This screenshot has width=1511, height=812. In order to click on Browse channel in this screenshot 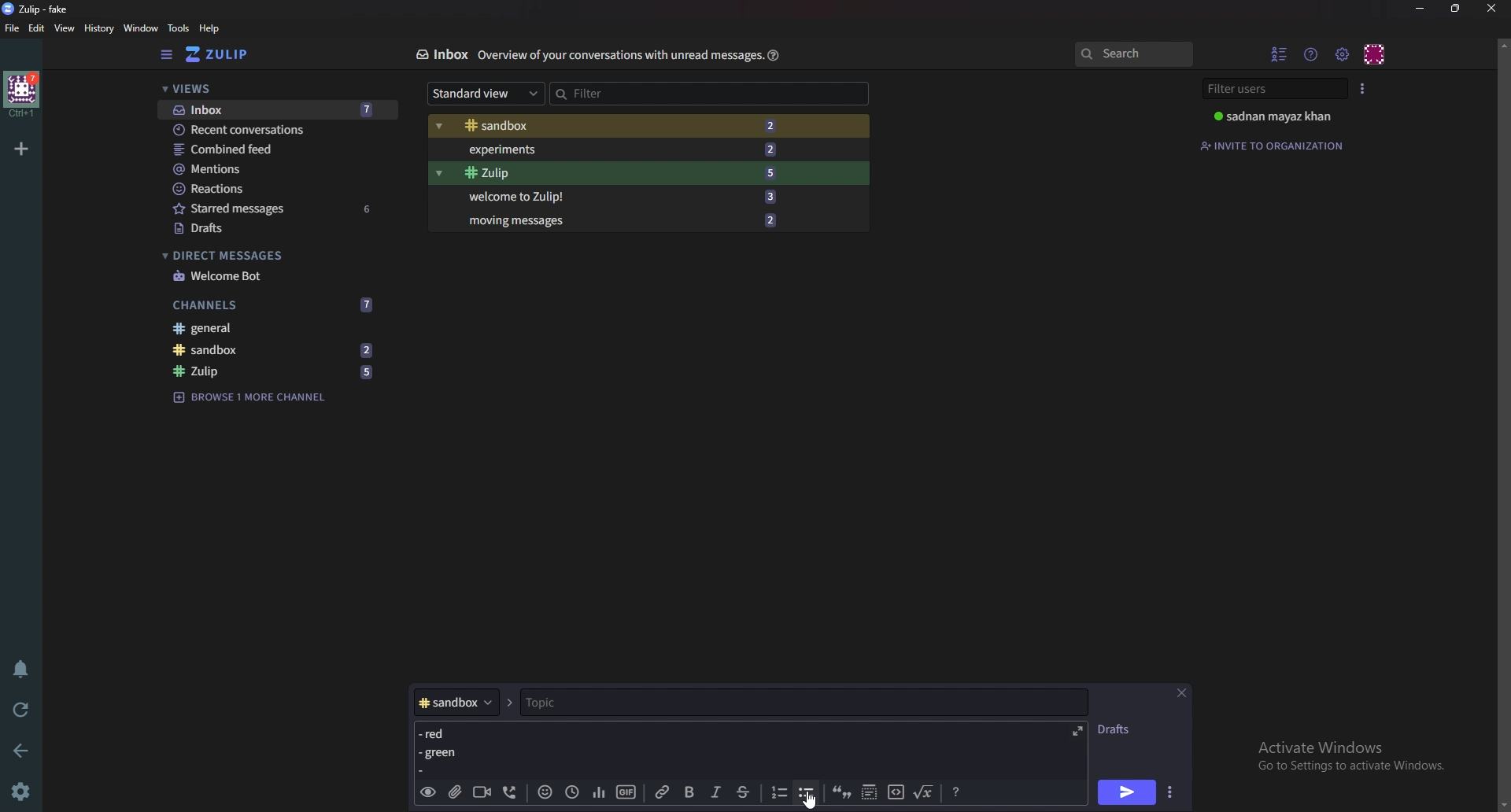, I will do `click(250, 396)`.